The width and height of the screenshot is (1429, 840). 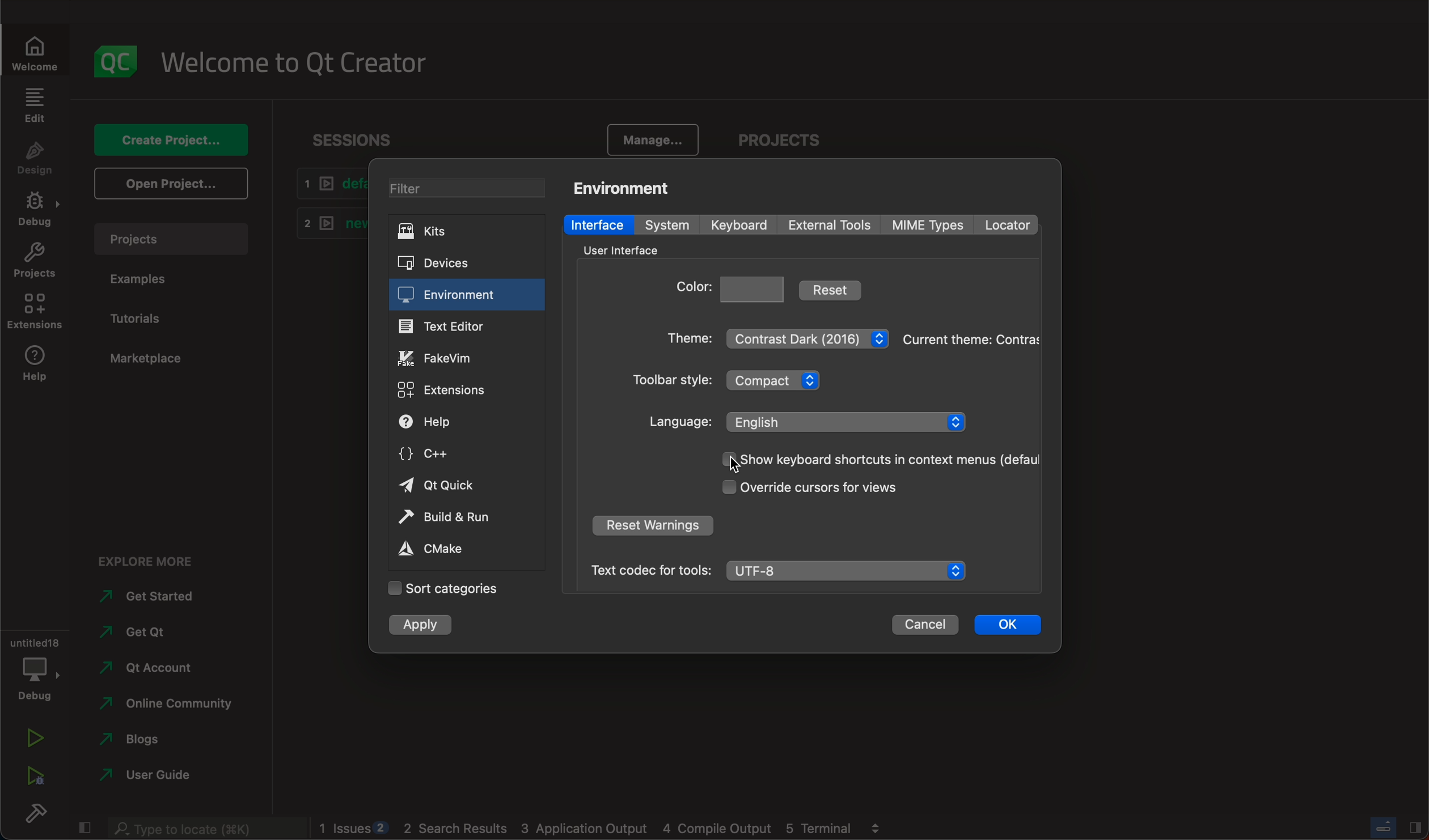 I want to click on interface, so click(x=597, y=224).